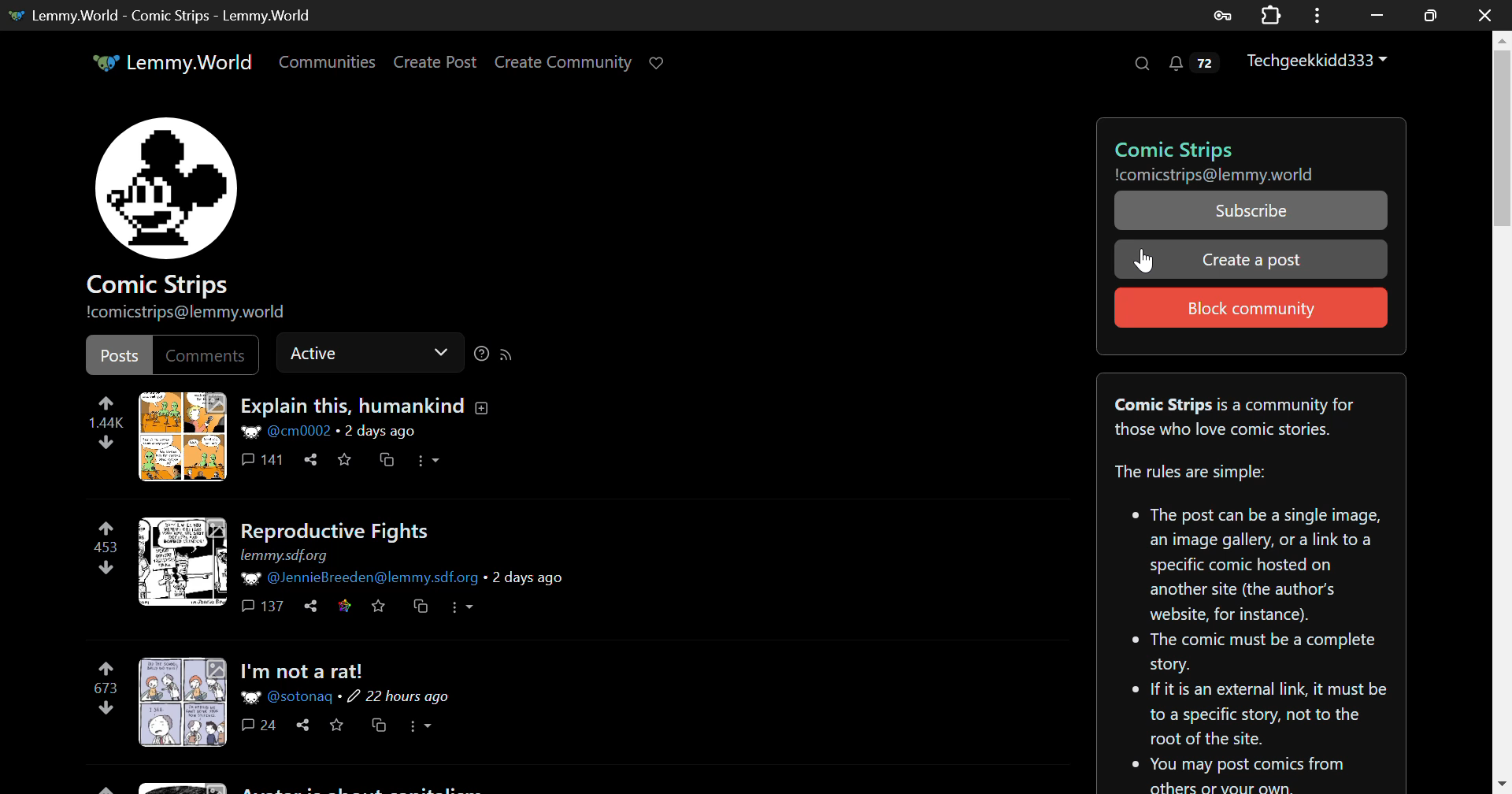 This screenshot has height=794, width=1512. I want to click on Cross-post, so click(387, 460).